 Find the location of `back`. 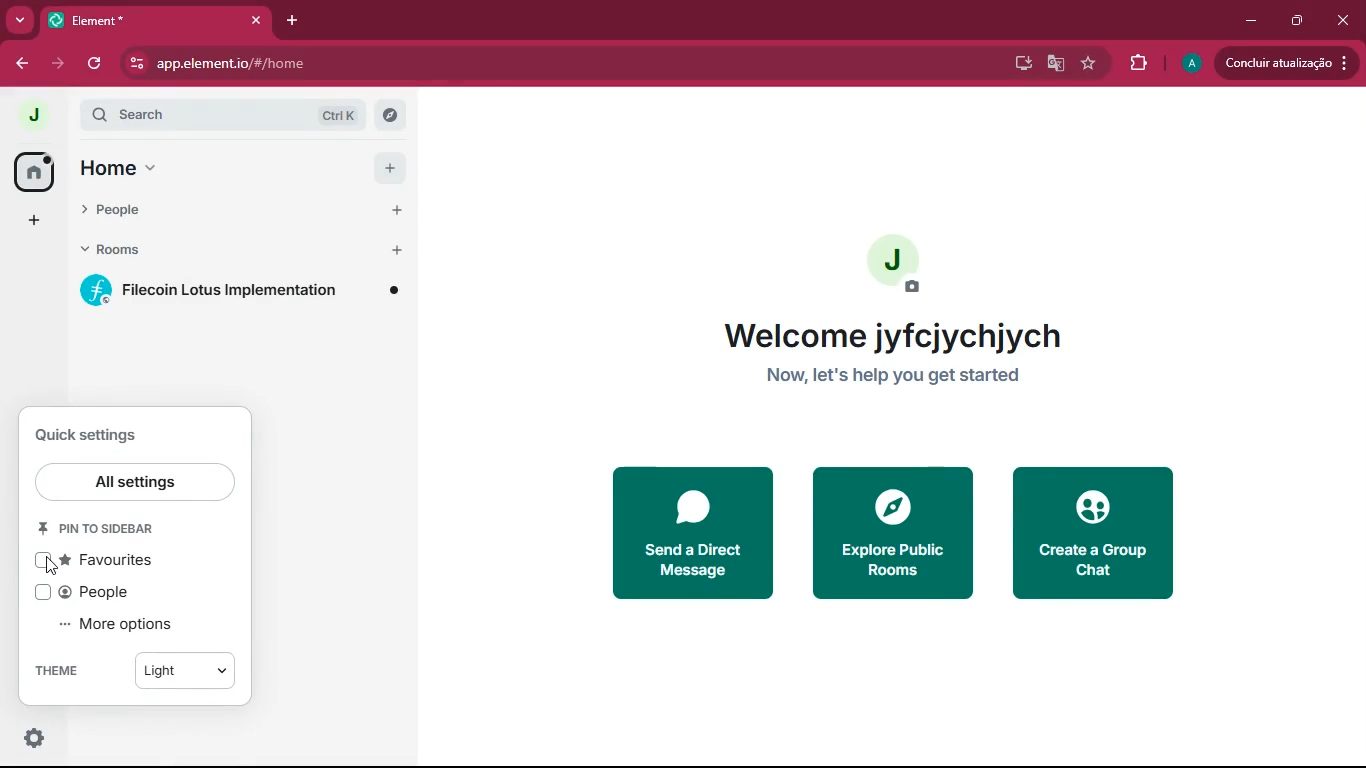

back is located at coordinates (23, 66).